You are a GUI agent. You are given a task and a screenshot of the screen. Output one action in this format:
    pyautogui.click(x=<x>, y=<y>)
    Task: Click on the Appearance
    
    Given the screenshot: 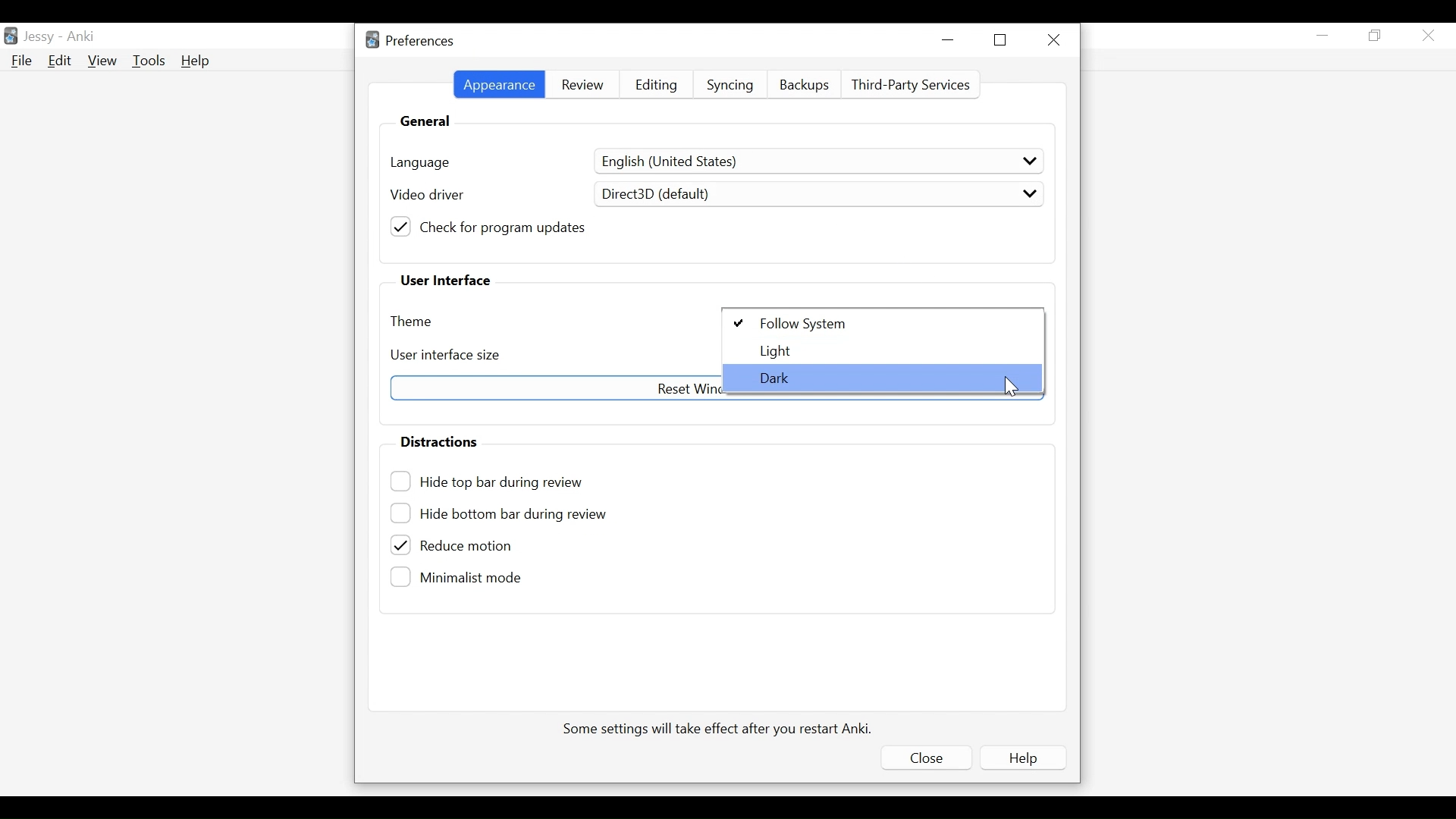 What is the action you would take?
    pyautogui.click(x=497, y=84)
    